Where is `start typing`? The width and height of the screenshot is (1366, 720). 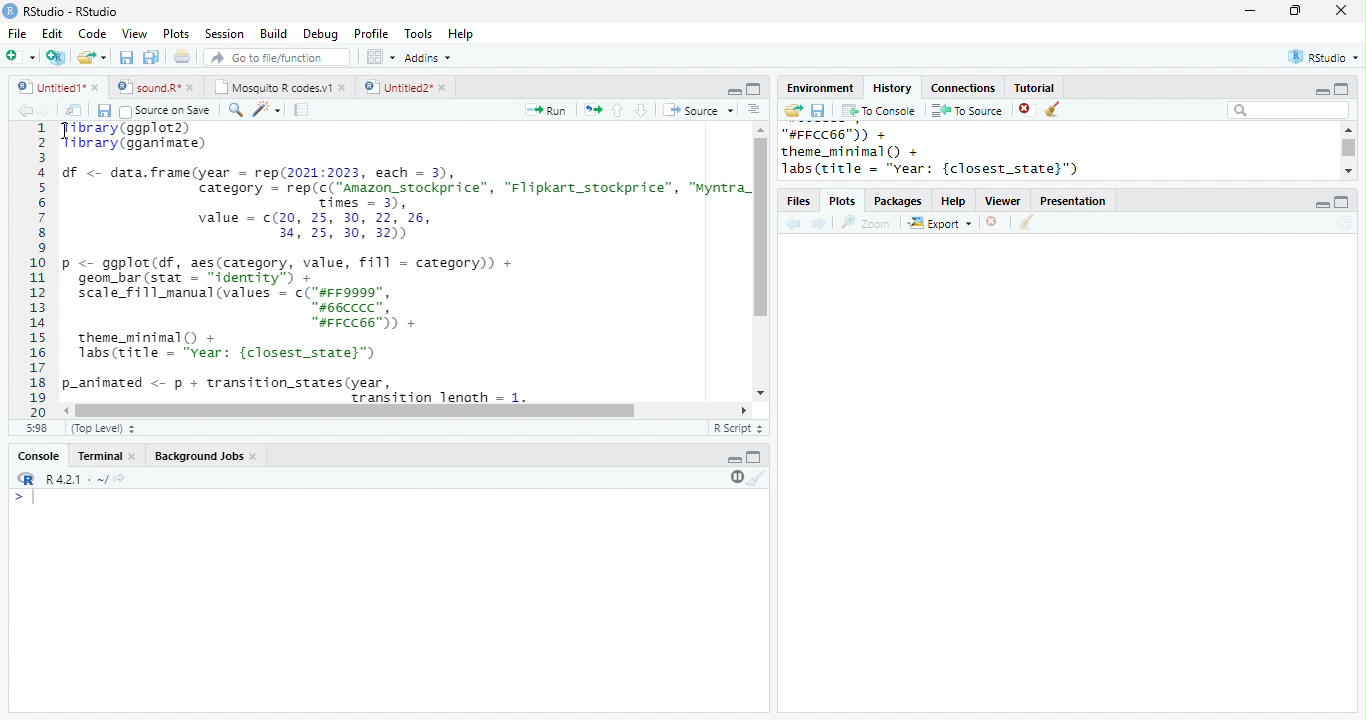 start typing is located at coordinates (26, 497).